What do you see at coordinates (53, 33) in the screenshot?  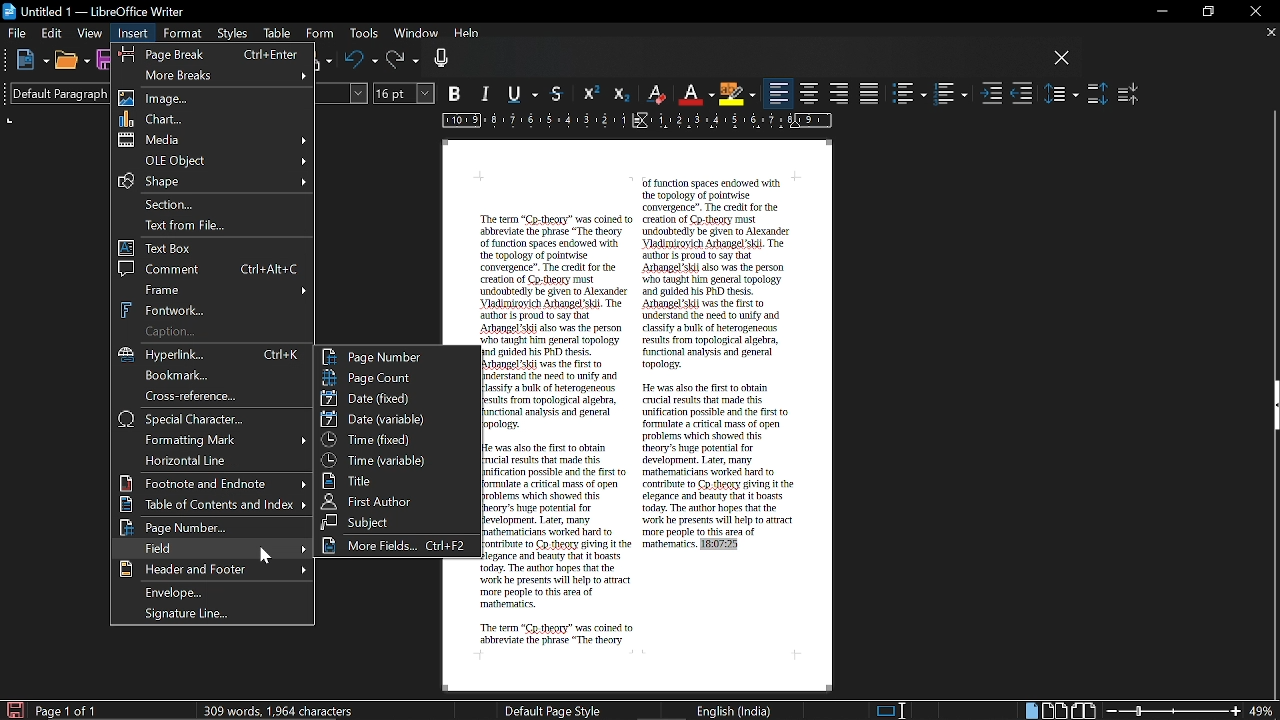 I see `Edit` at bounding box center [53, 33].